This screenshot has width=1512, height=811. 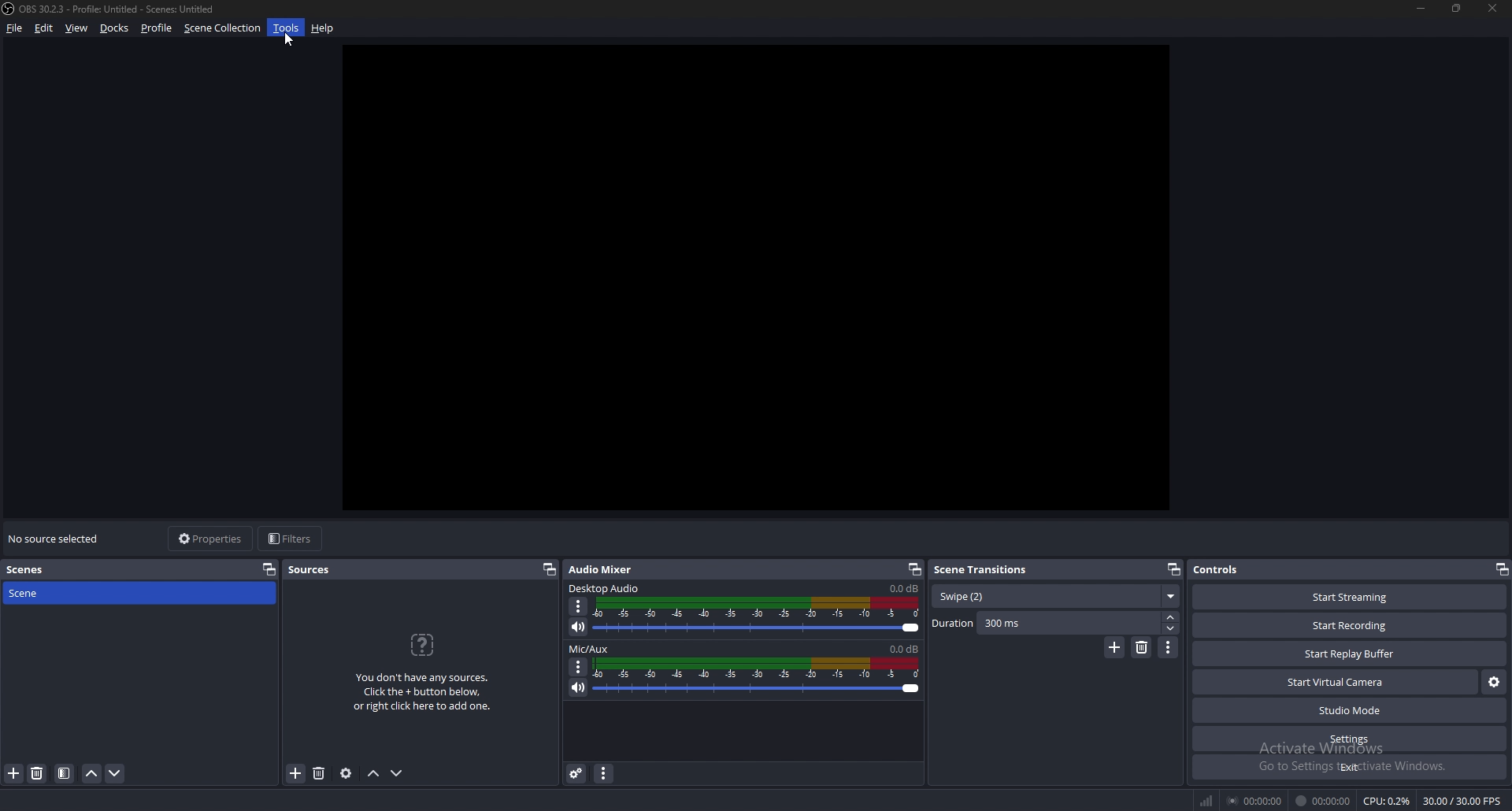 What do you see at coordinates (65, 773) in the screenshot?
I see `filter` at bounding box center [65, 773].